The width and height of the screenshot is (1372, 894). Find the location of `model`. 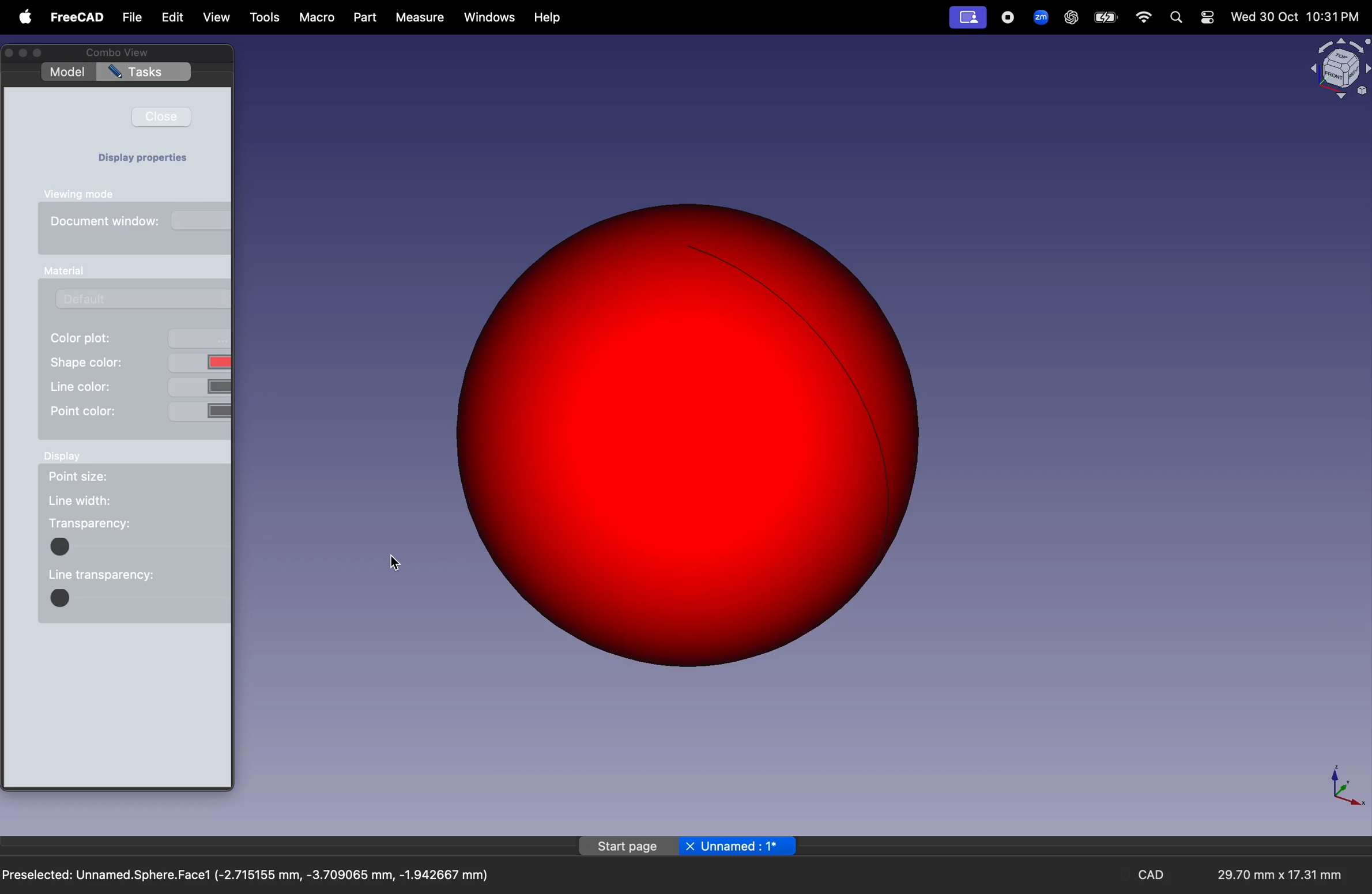

model is located at coordinates (67, 72).